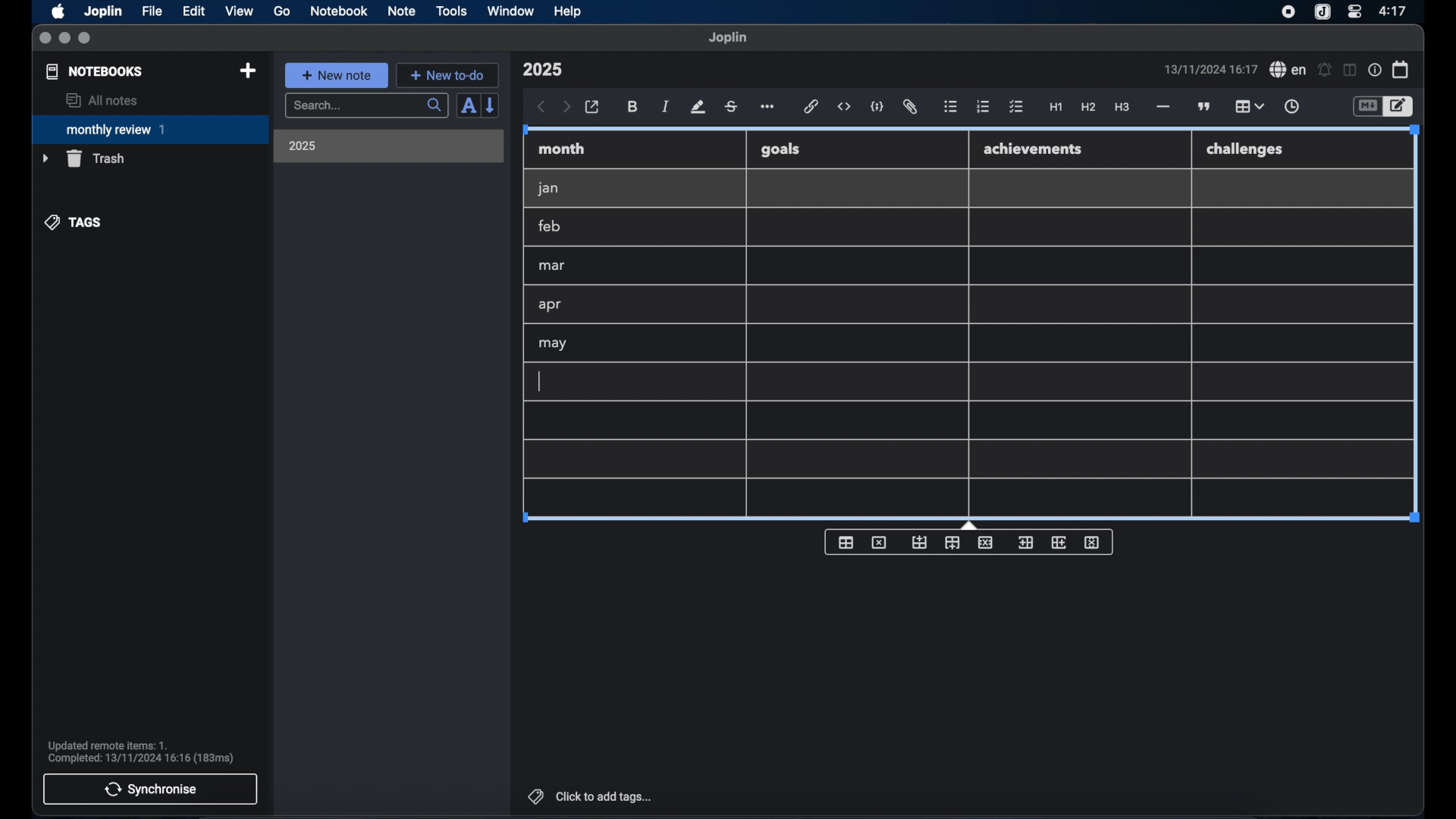 The width and height of the screenshot is (1456, 819). I want to click on maximize, so click(86, 39).